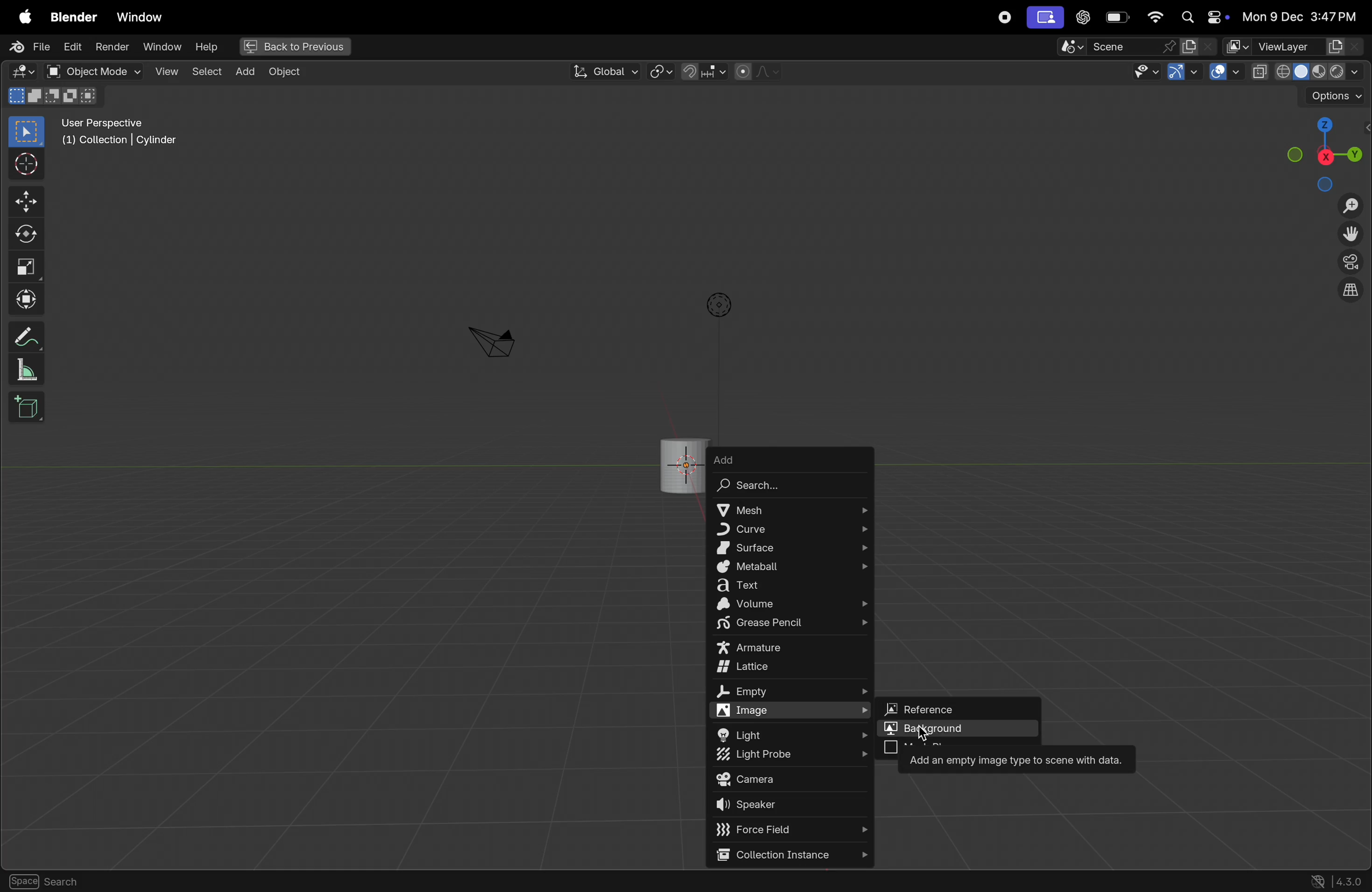  What do you see at coordinates (1117, 46) in the screenshot?
I see `score` at bounding box center [1117, 46].